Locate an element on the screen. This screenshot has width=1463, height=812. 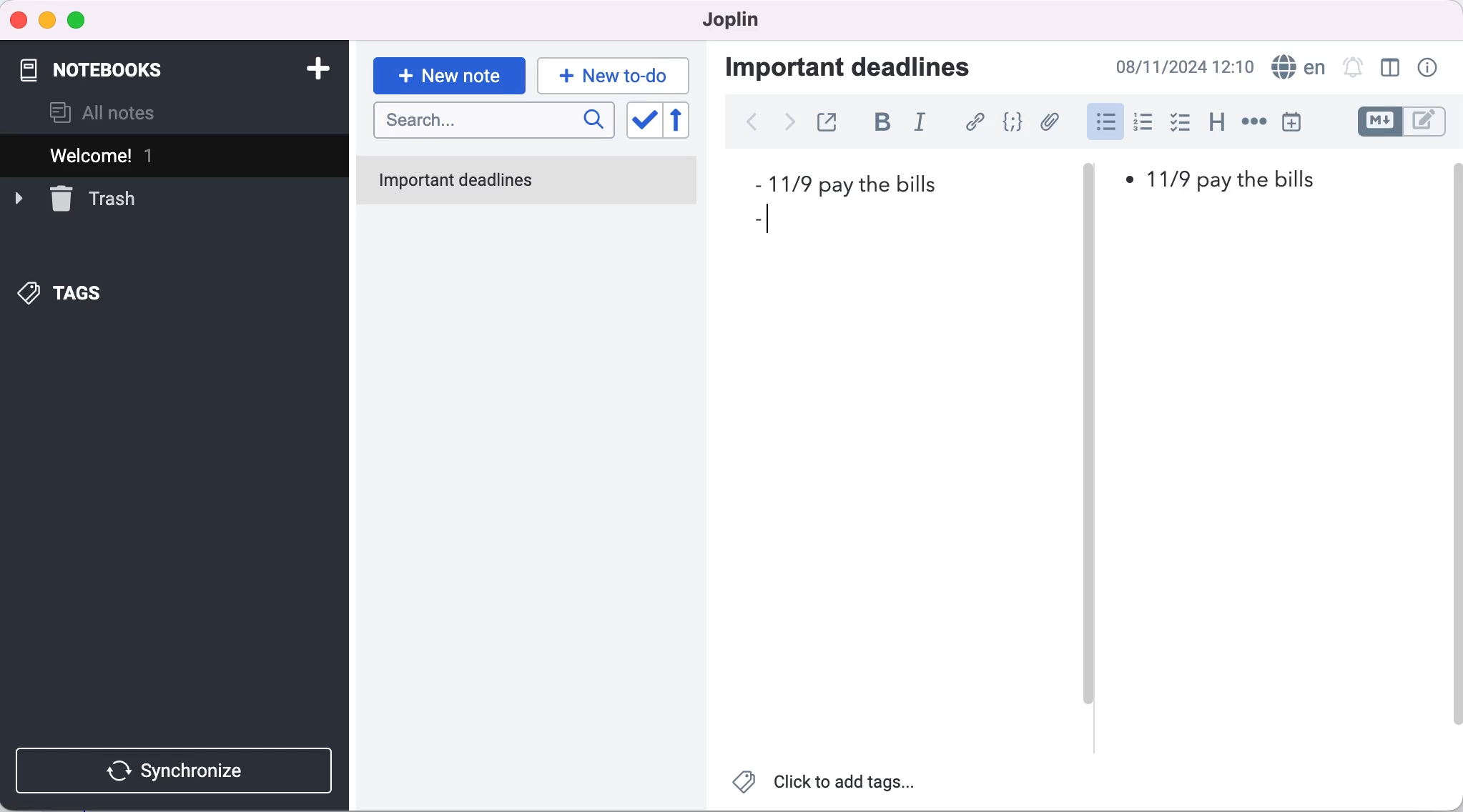
vertical slider is located at coordinates (1088, 457).